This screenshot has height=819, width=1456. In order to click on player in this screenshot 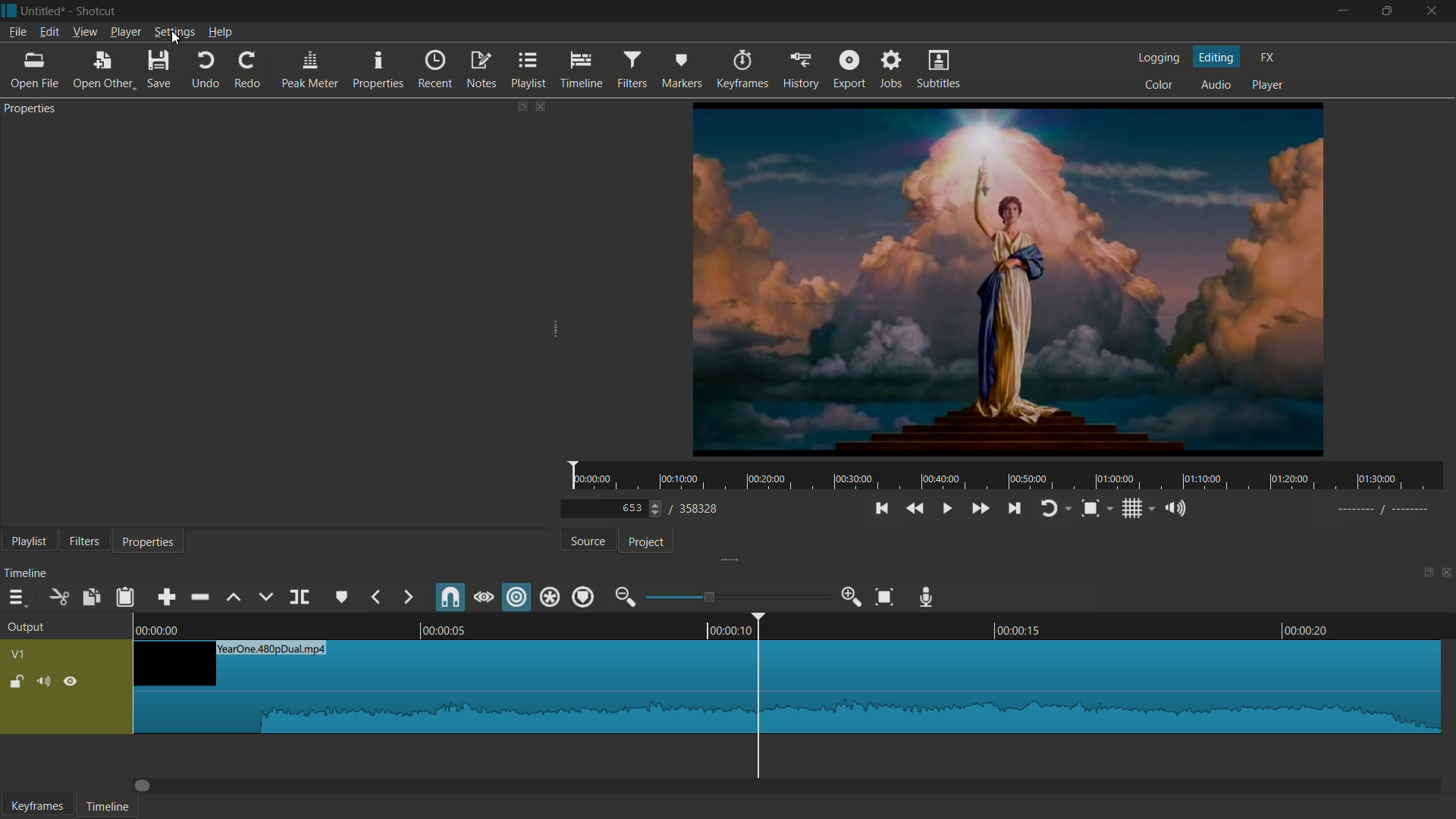, I will do `click(1267, 85)`.